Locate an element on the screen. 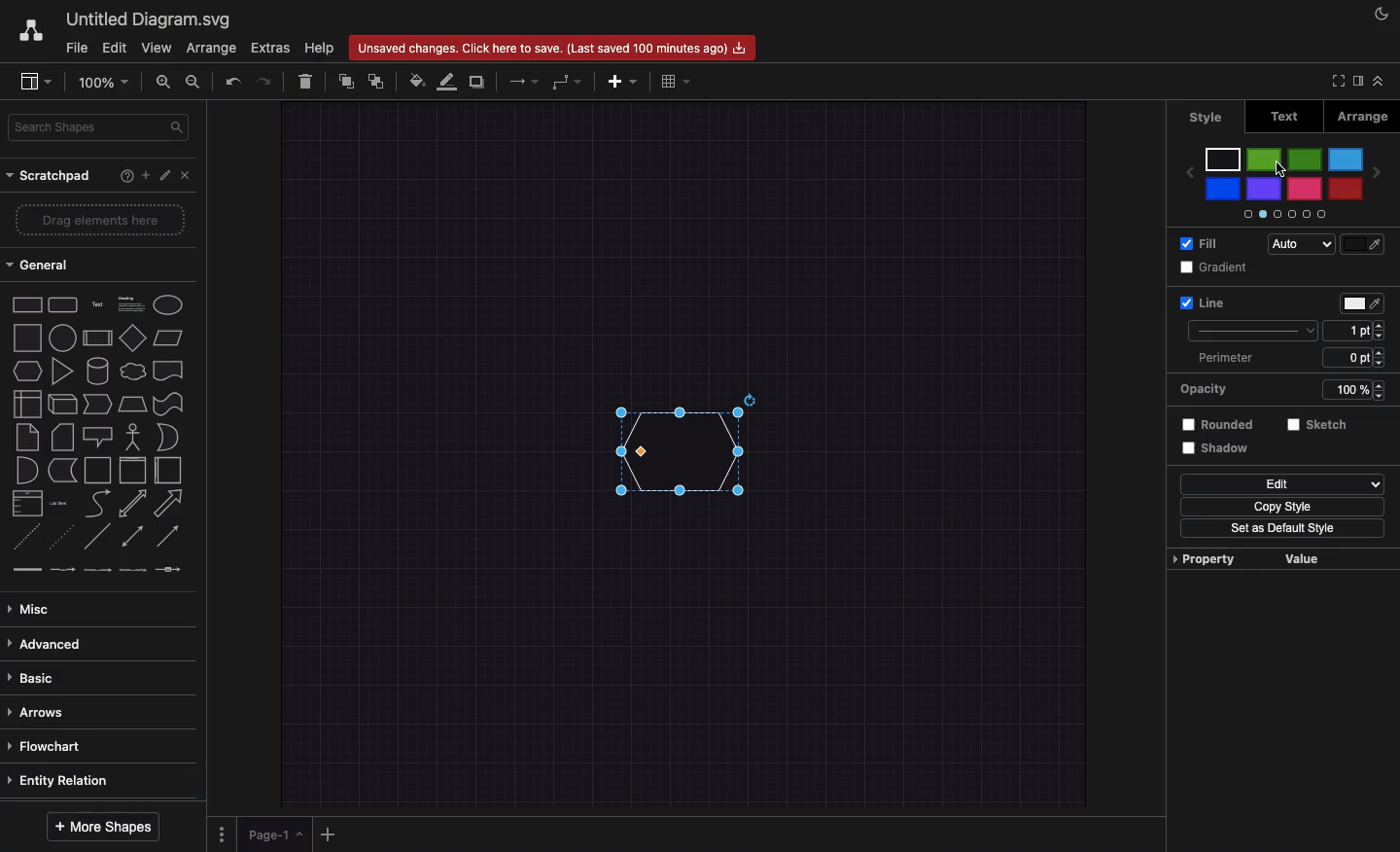 The height and width of the screenshot is (852, 1400). File is located at coordinates (77, 50).